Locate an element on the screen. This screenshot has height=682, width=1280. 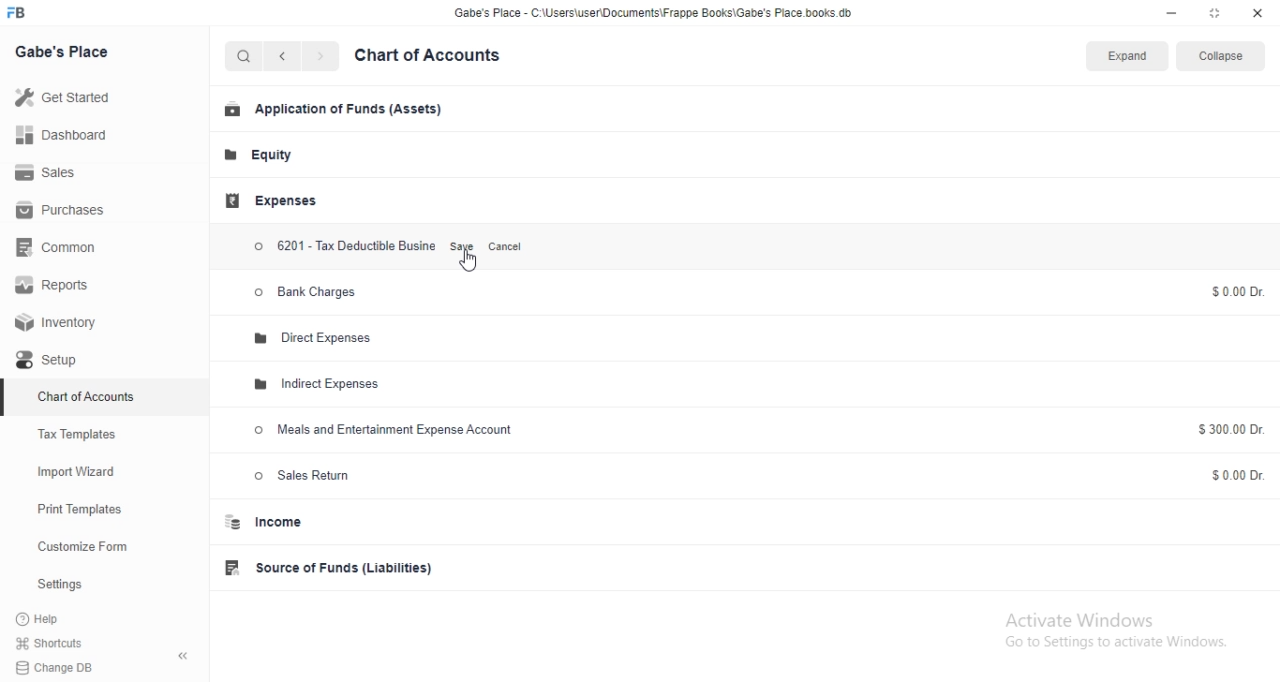
Customize Form is located at coordinates (84, 545).